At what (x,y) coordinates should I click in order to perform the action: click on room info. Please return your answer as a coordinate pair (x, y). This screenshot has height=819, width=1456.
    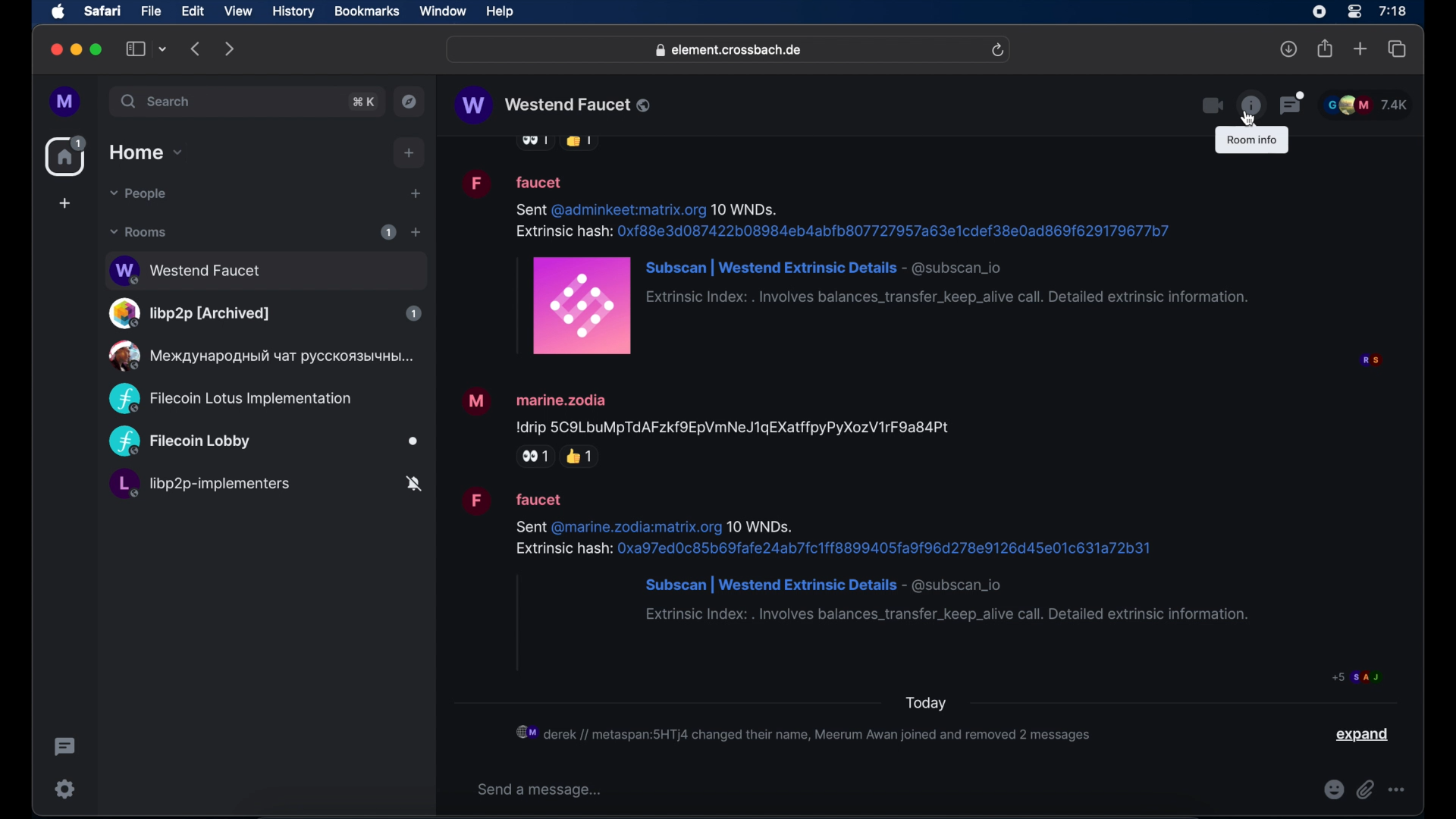
    Looking at the image, I should click on (1250, 105).